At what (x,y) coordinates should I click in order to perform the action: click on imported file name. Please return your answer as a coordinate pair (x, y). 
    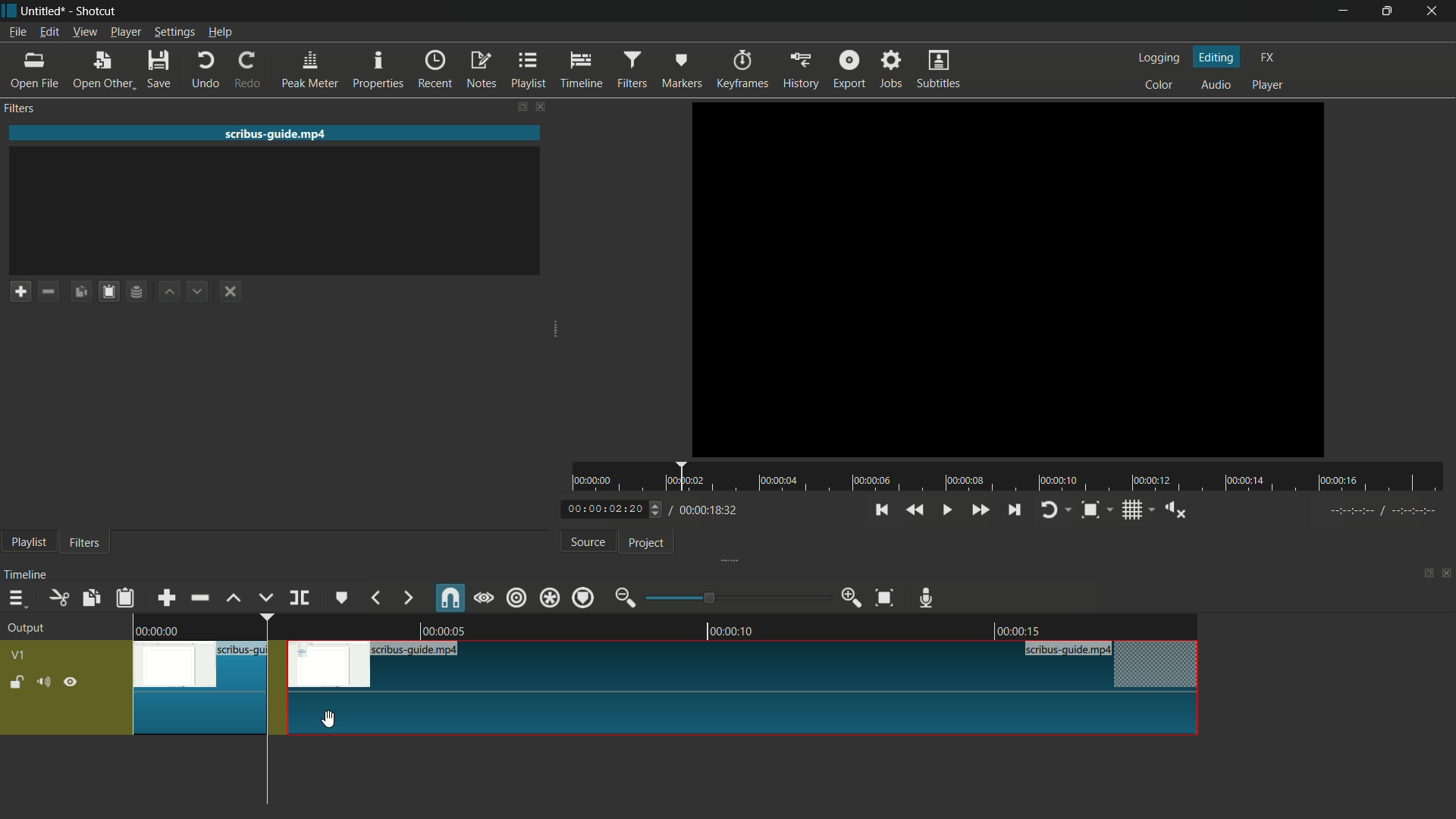
    Looking at the image, I should click on (276, 133).